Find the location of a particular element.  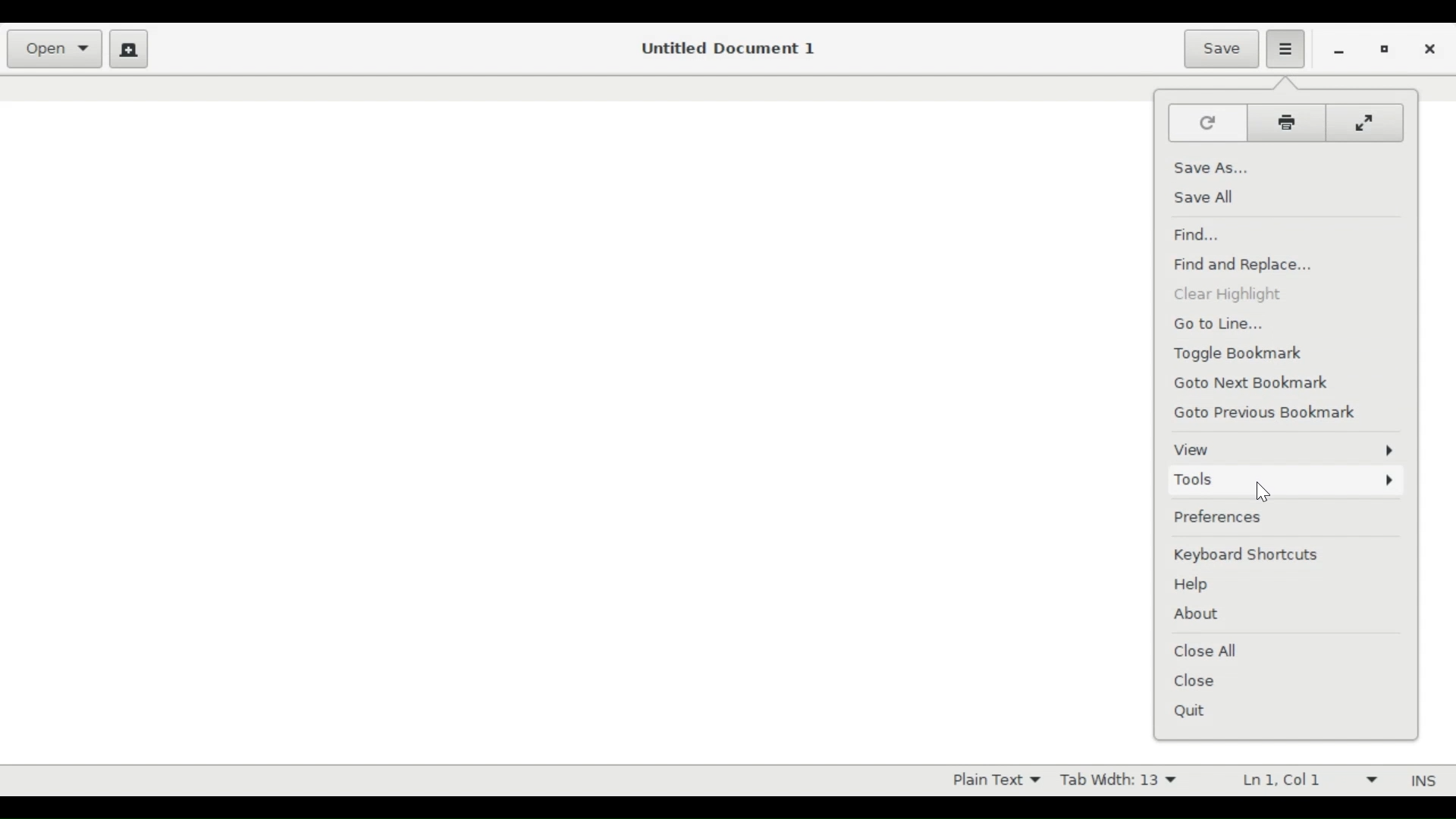

Plain Text is located at coordinates (990, 779).